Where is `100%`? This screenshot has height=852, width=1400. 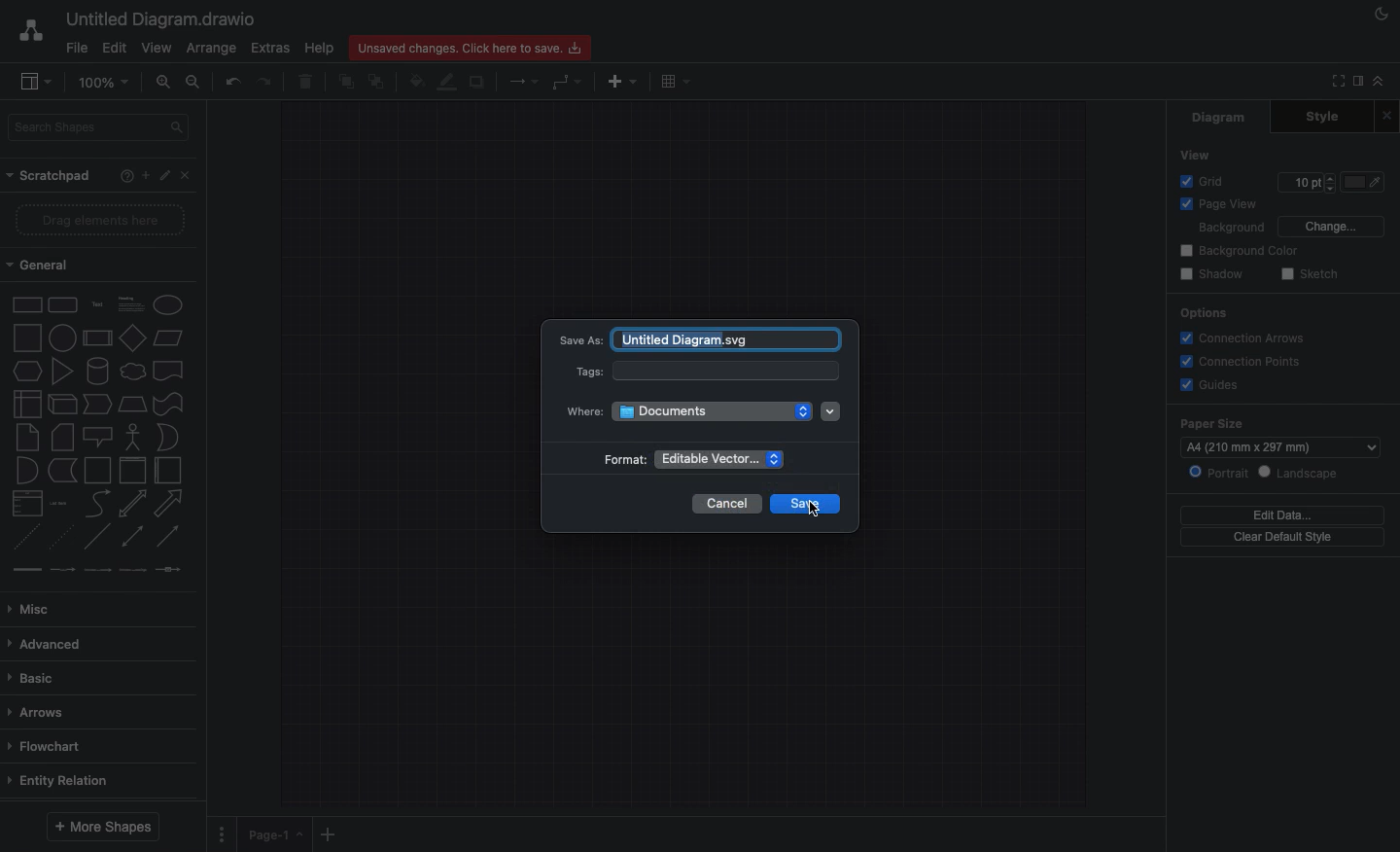 100% is located at coordinates (108, 83).